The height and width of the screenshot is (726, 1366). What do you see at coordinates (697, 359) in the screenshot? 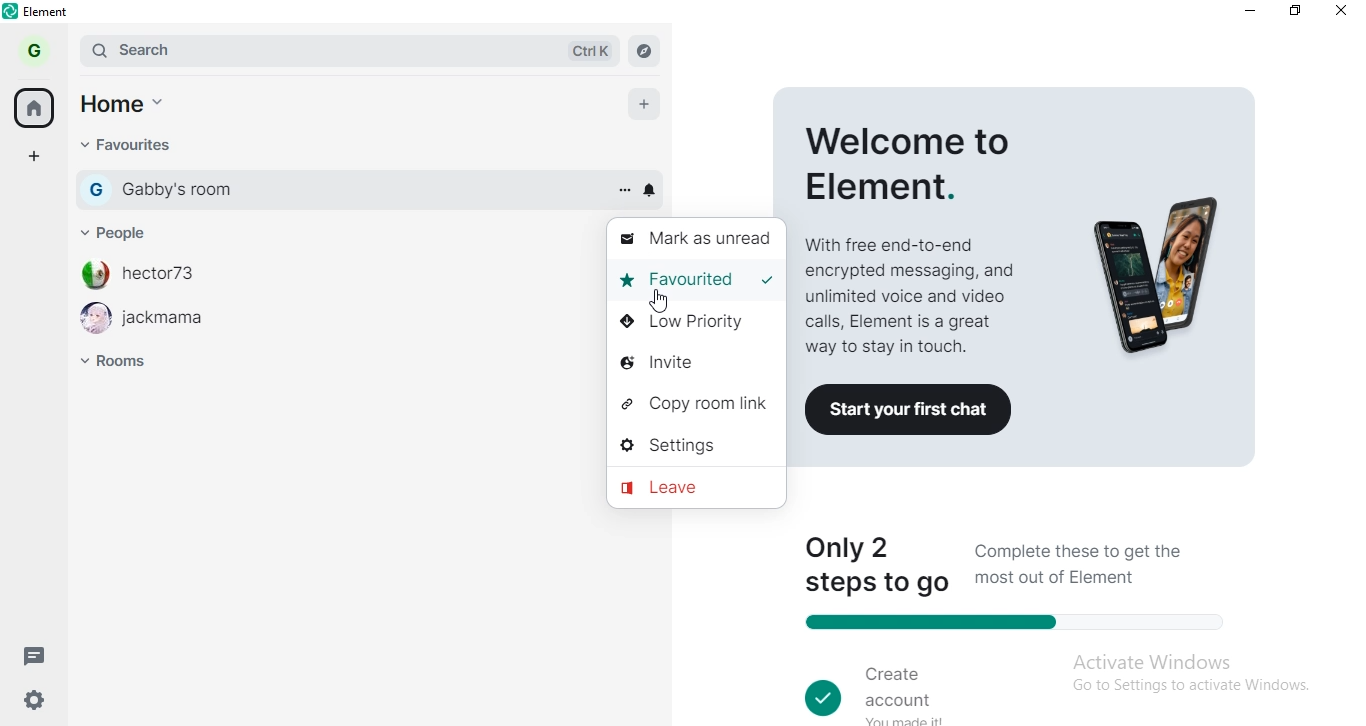
I see `invite` at bounding box center [697, 359].